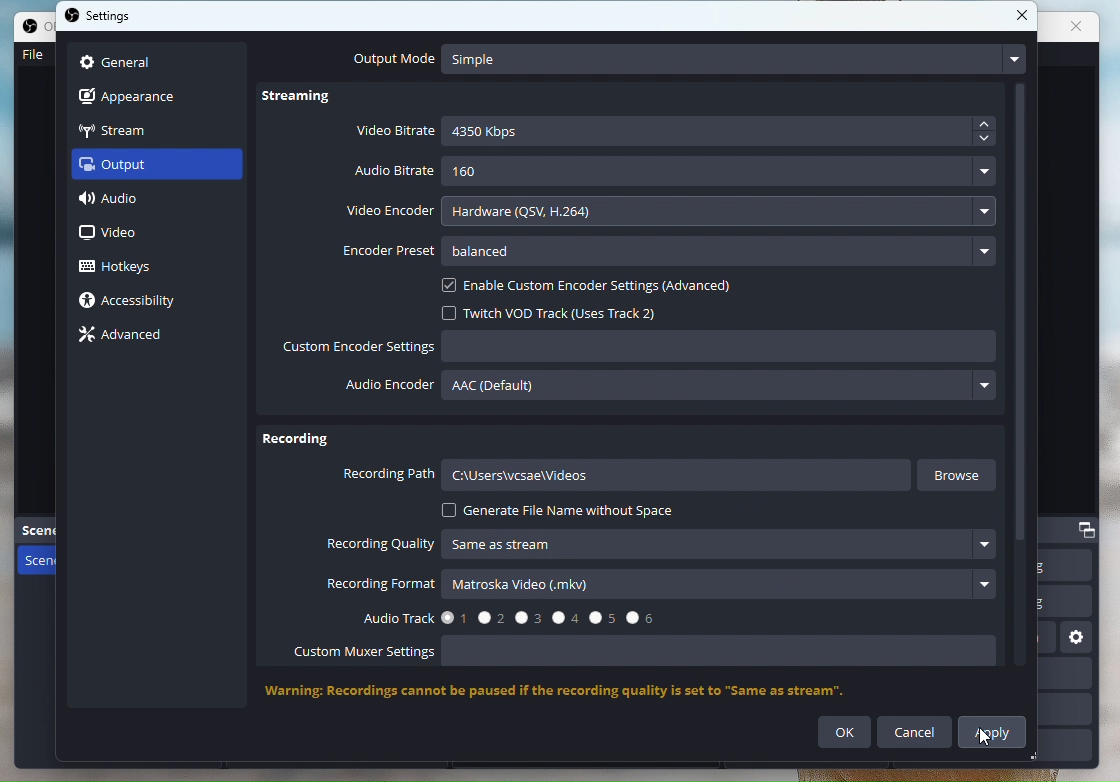 Image resolution: width=1120 pixels, height=782 pixels. What do you see at coordinates (607, 286) in the screenshot?
I see `enable encoder settings` at bounding box center [607, 286].